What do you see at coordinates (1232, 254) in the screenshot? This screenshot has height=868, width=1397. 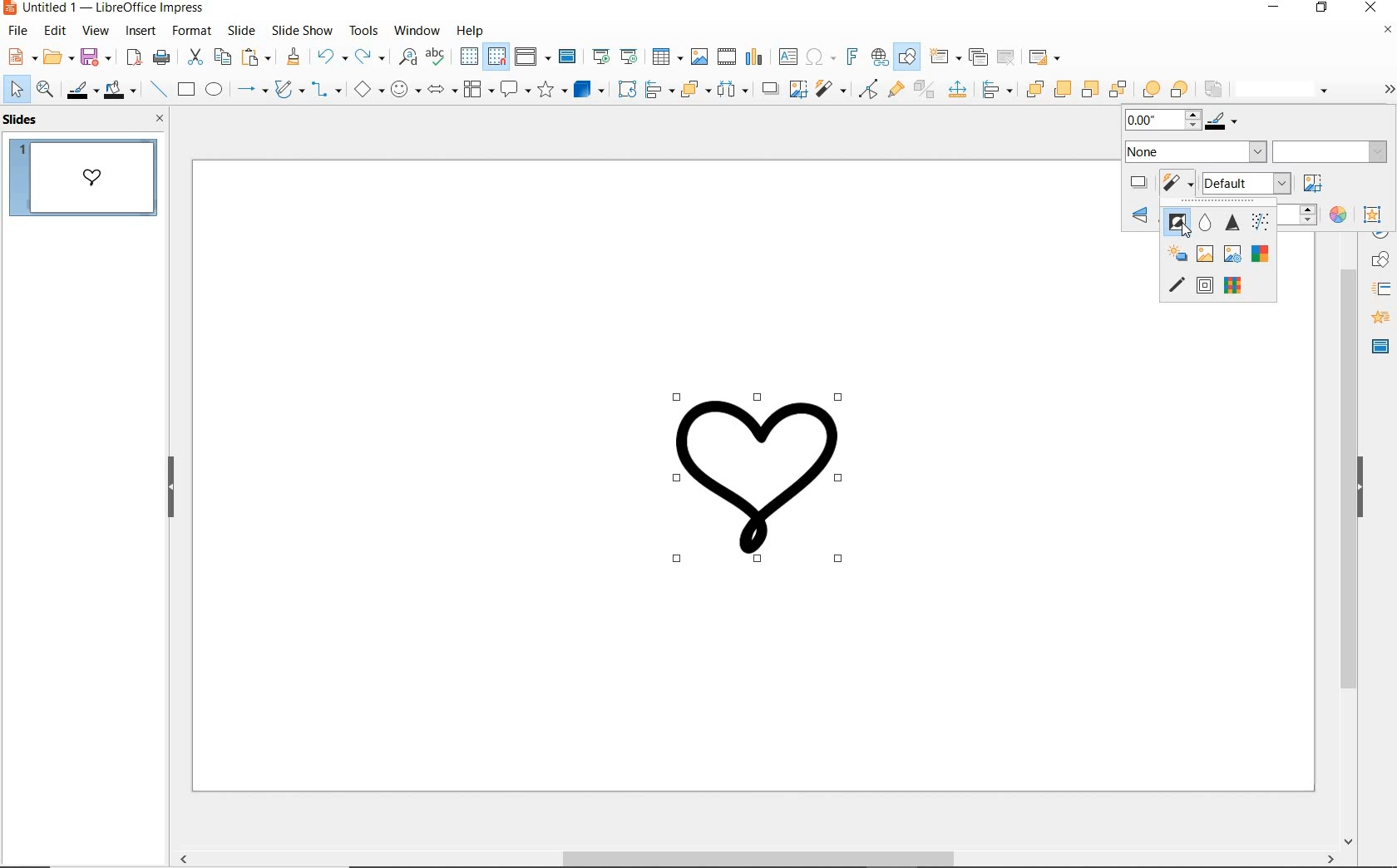 I see `posterize` at bounding box center [1232, 254].